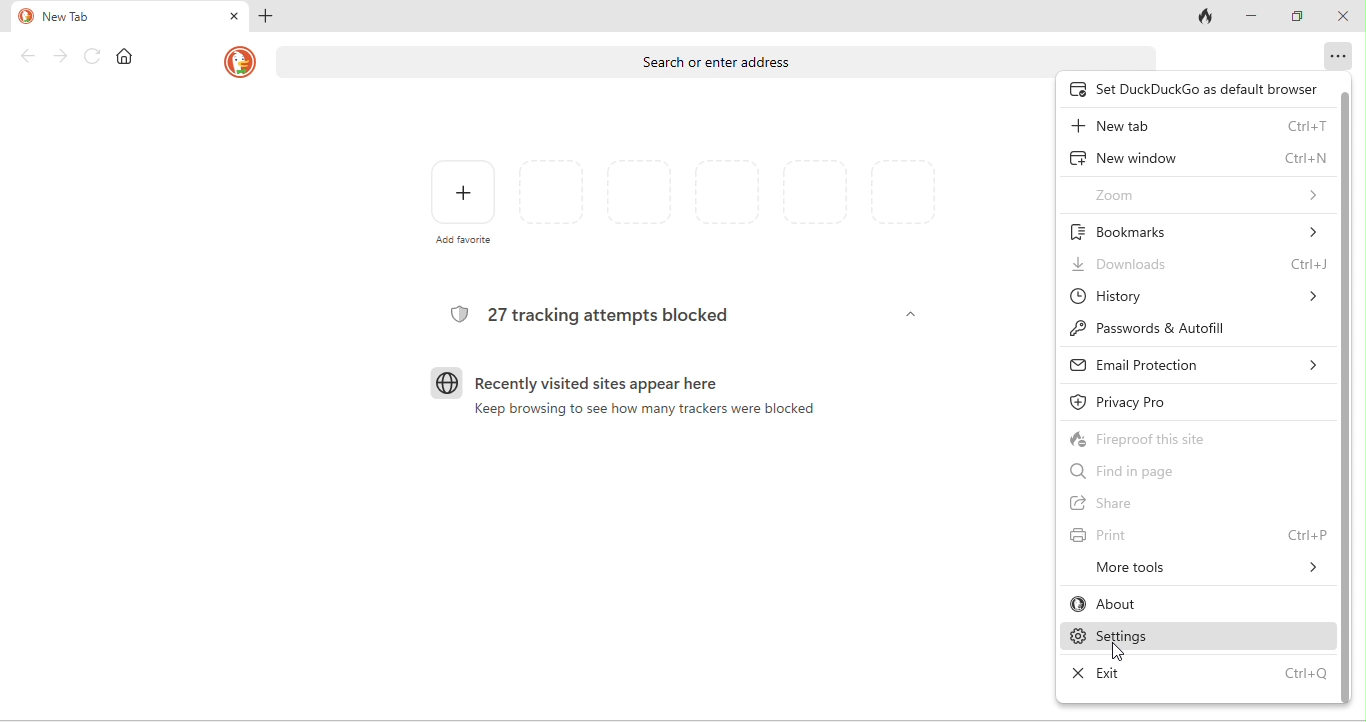  What do you see at coordinates (1197, 363) in the screenshot?
I see `email protection` at bounding box center [1197, 363].